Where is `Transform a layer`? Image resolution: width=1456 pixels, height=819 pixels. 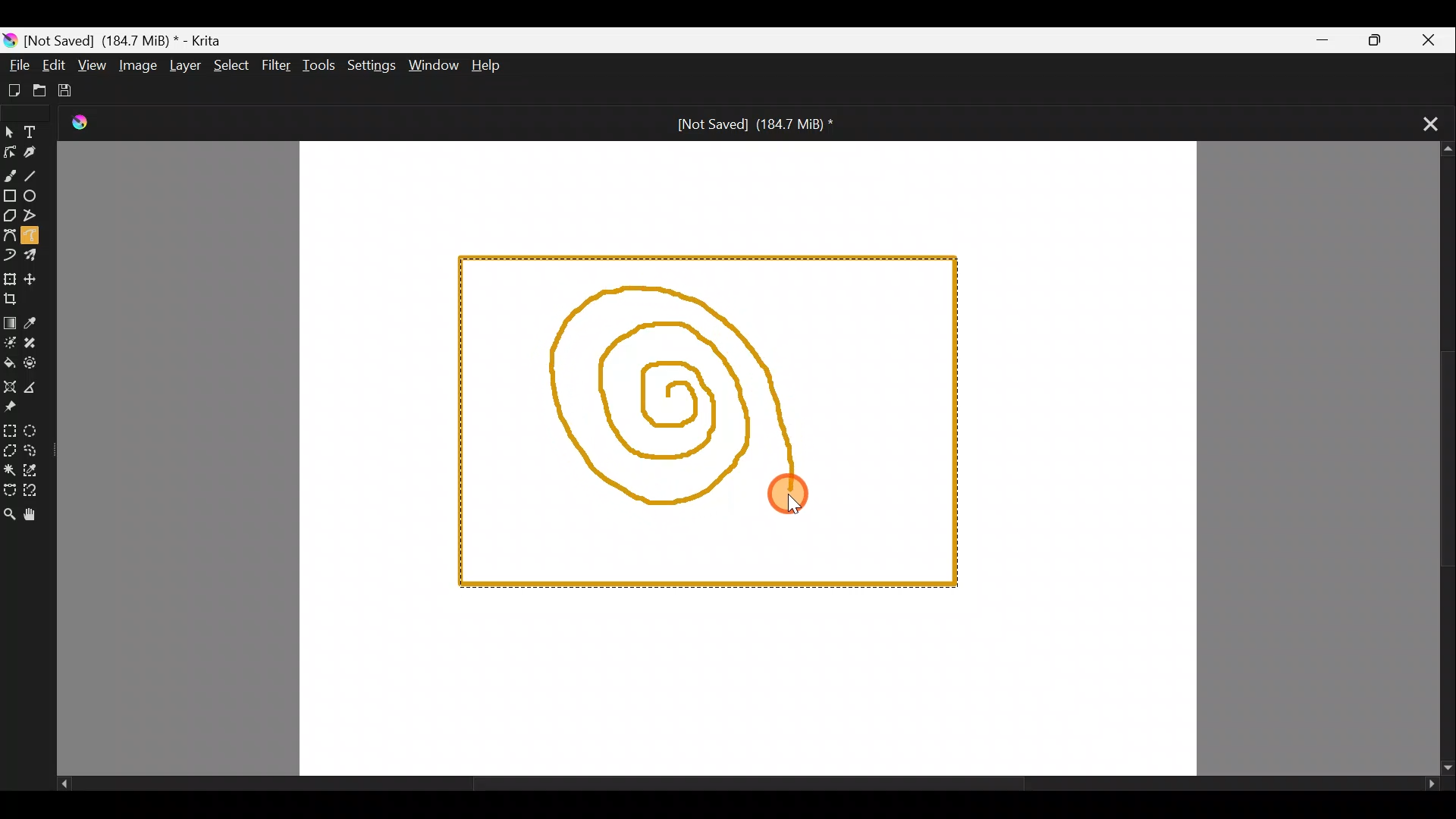
Transform a layer is located at coordinates (9, 280).